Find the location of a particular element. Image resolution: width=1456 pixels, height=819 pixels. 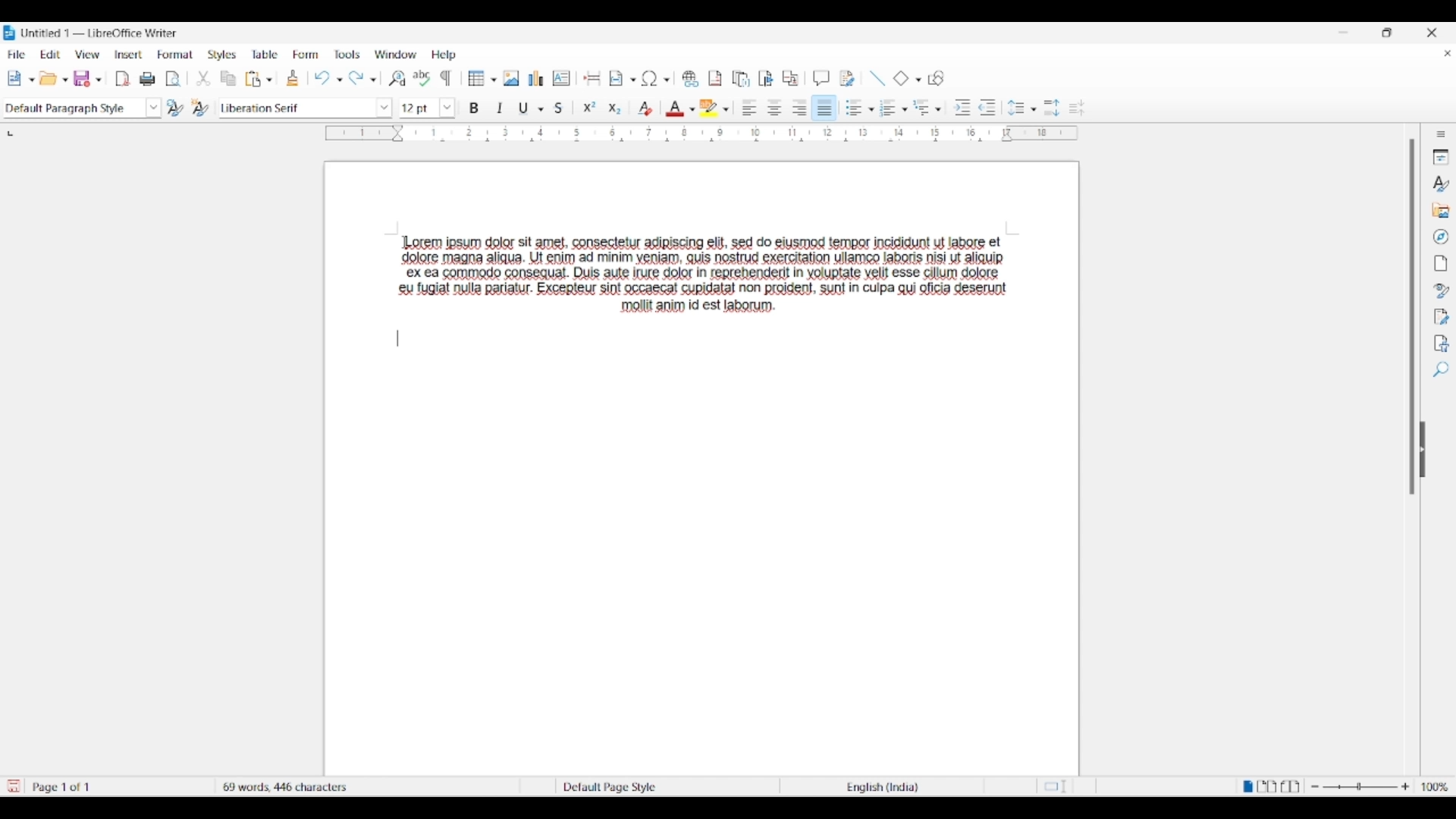

Insert hyperlink is located at coordinates (690, 79).